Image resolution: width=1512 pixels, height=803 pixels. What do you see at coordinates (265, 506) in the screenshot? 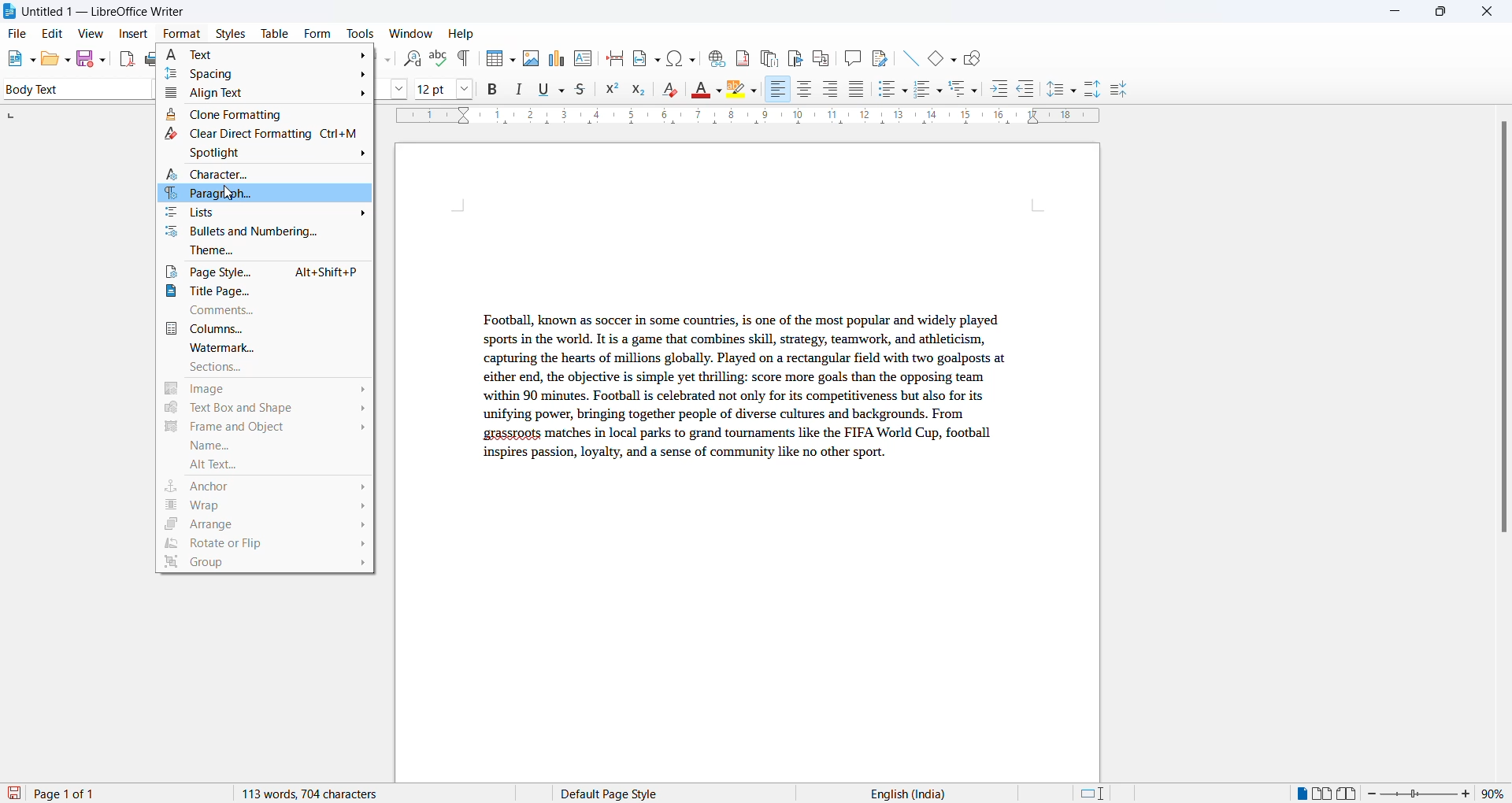
I see `wrap` at bounding box center [265, 506].